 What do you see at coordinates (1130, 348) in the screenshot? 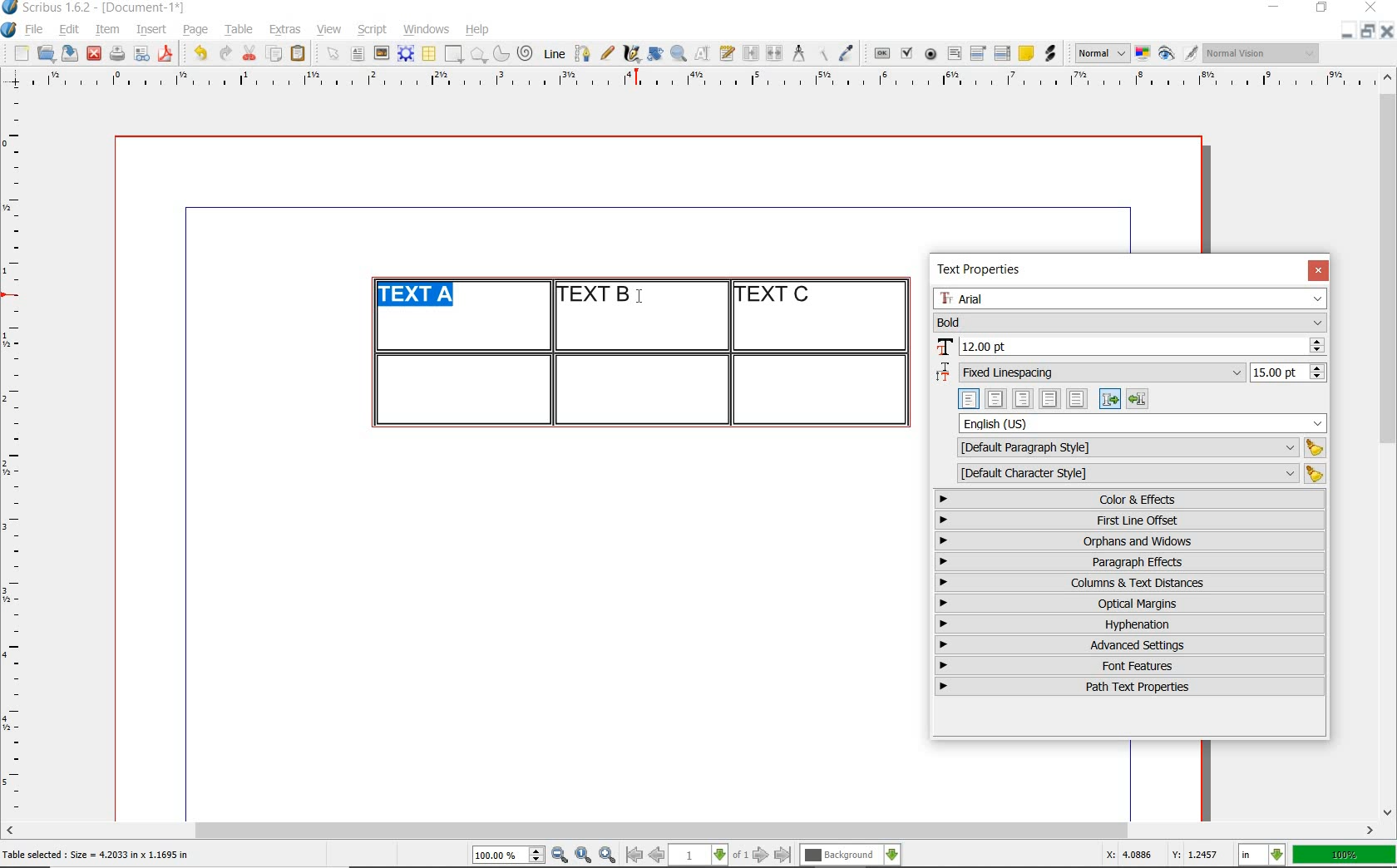
I see `font size` at bounding box center [1130, 348].